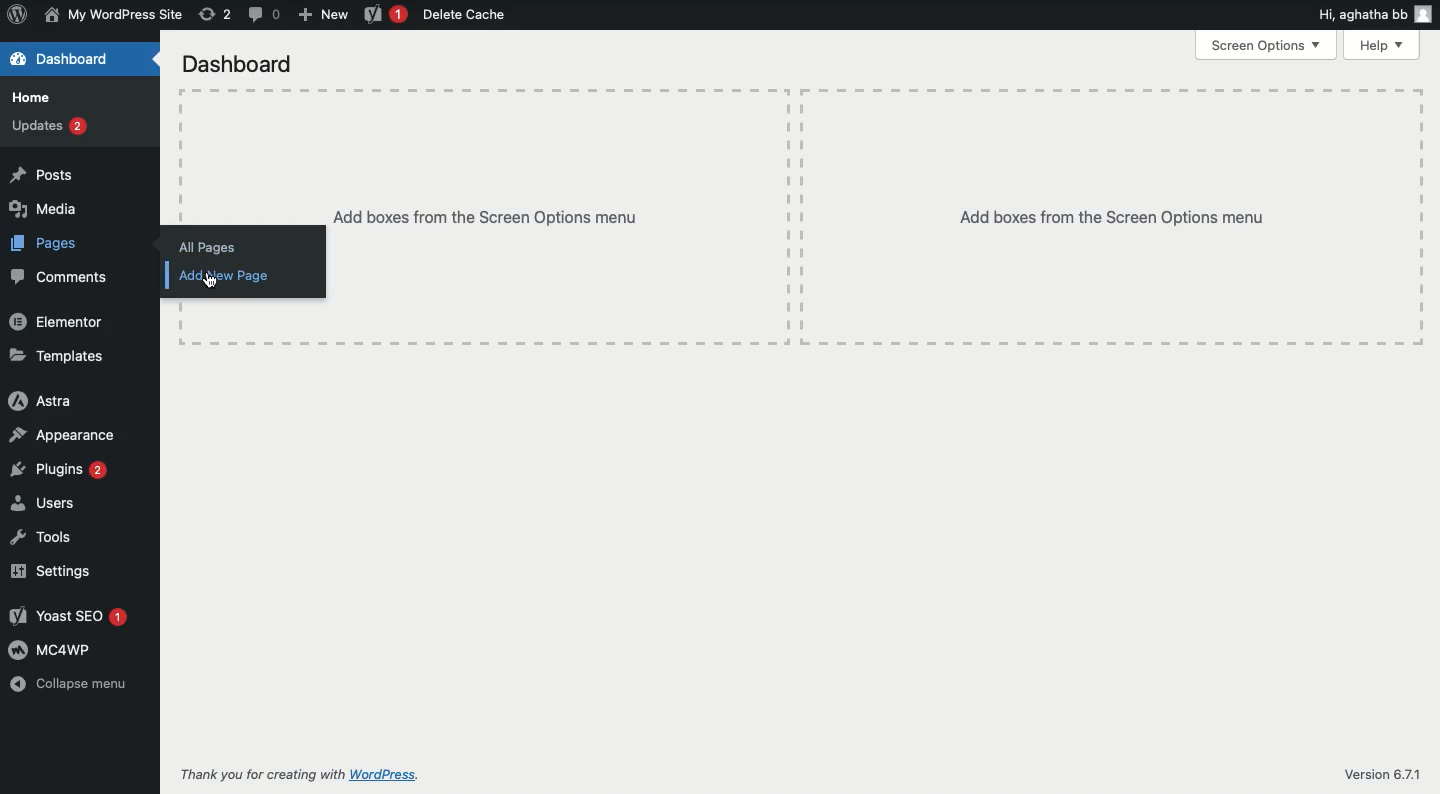  Describe the element at coordinates (182, 316) in the screenshot. I see `Table line` at that location.